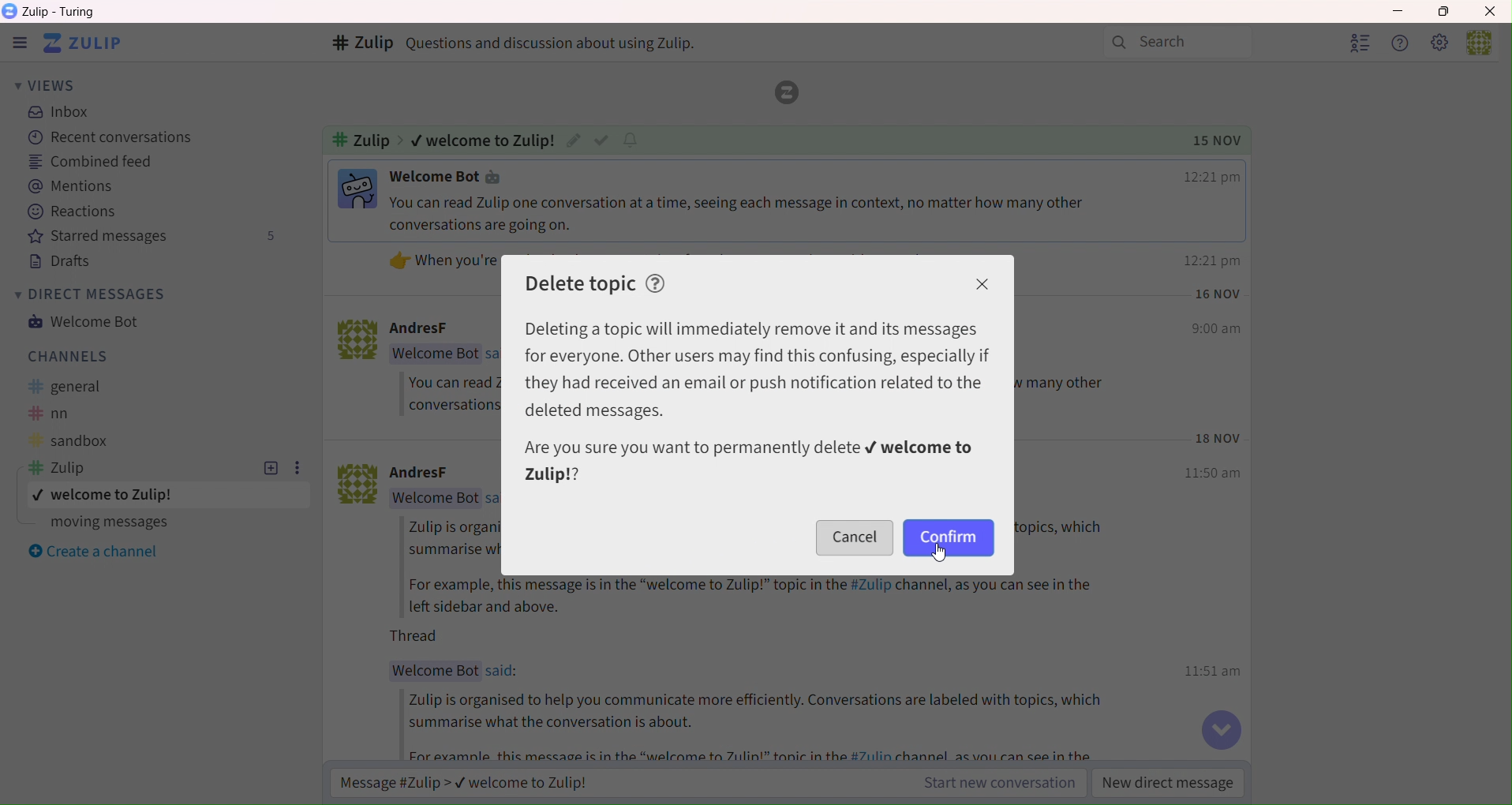 This screenshot has width=1512, height=805. Describe the element at coordinates (763, 215) in the screenshot. I see `Text` at that location.